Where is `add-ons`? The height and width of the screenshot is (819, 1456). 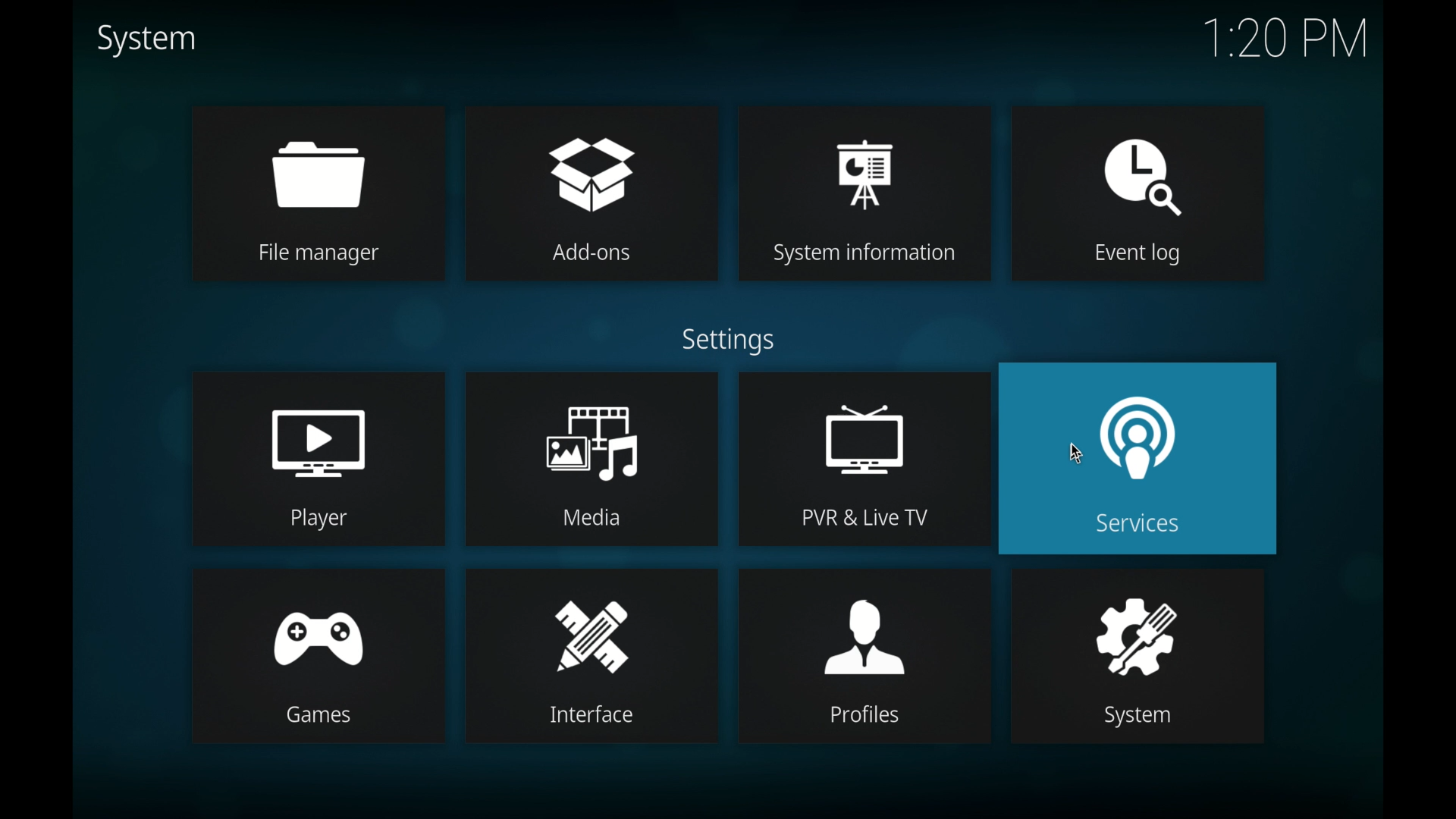 add-ons is located at coordinates (591, 195).